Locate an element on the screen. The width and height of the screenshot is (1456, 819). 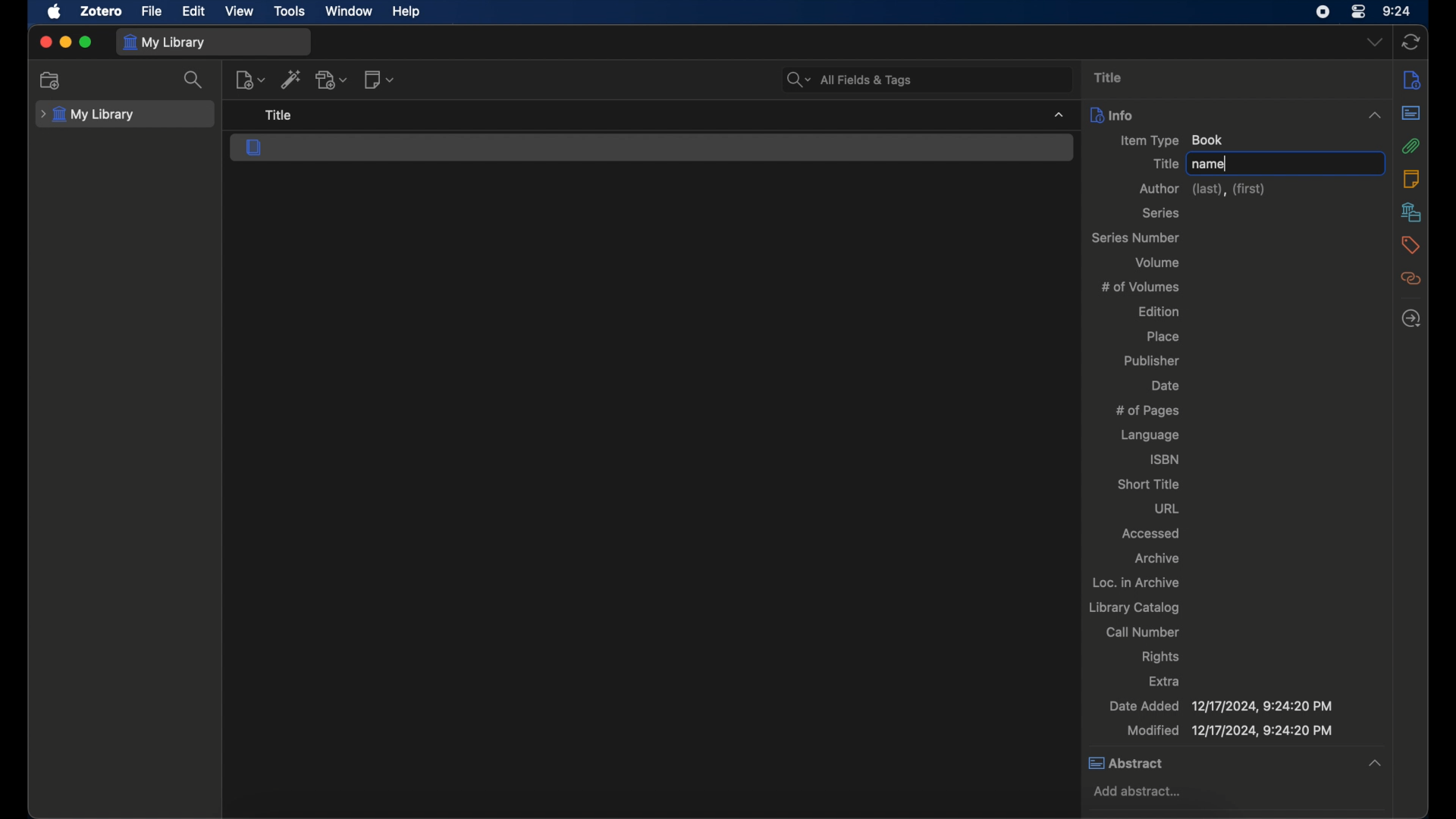
edit is located at coordinates (194, 11).